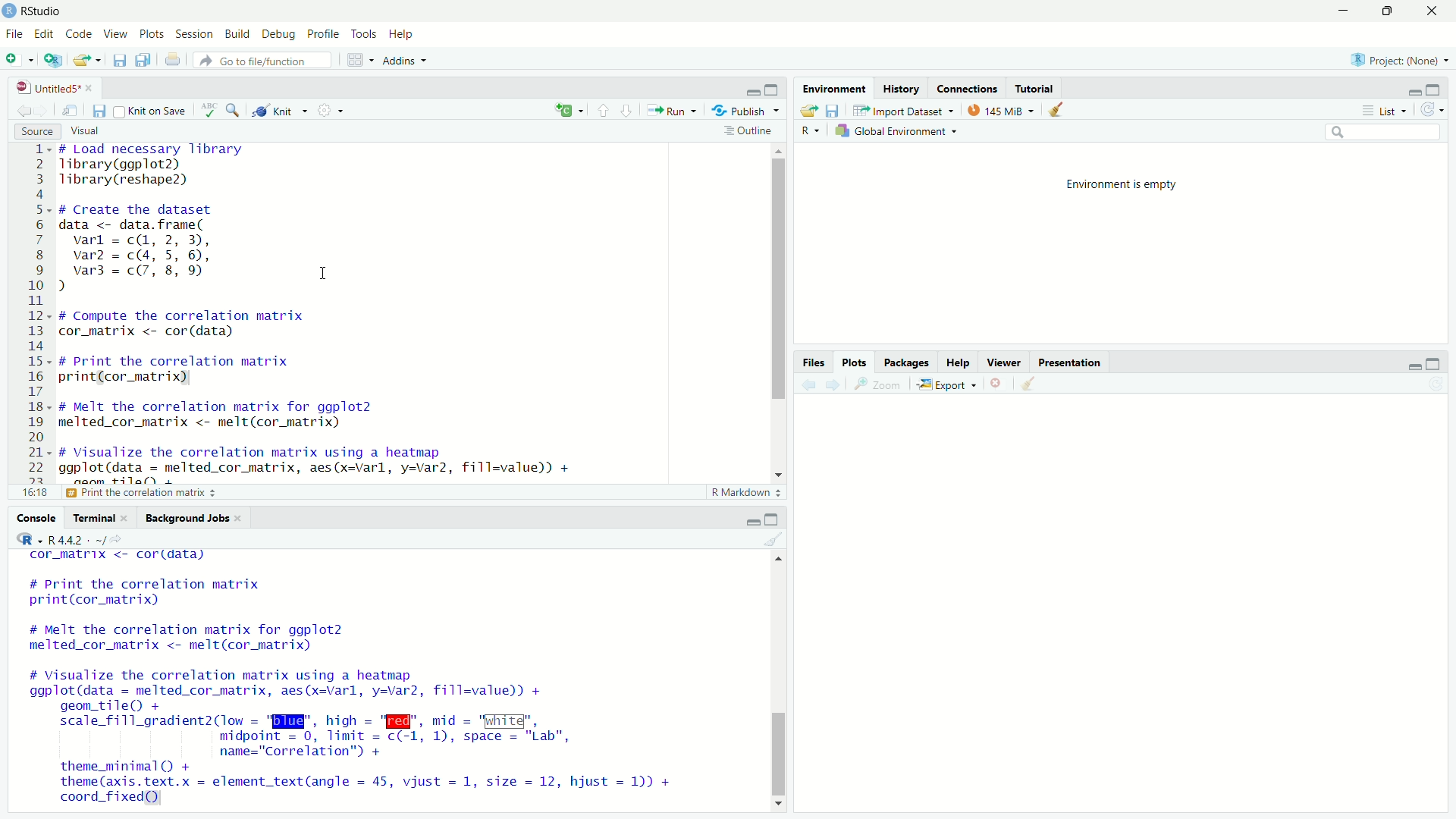  I want to click on export, so click(948, 384).